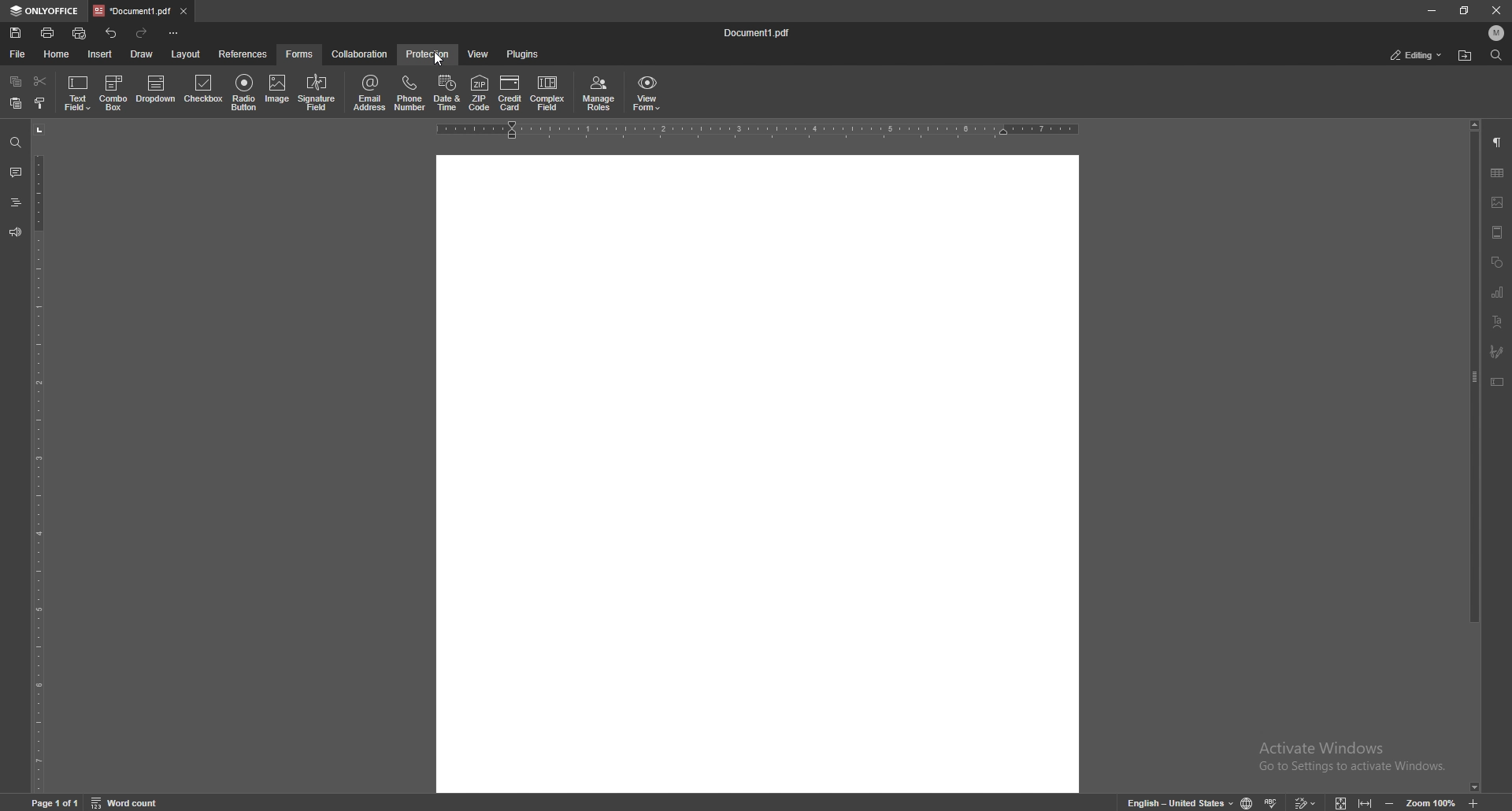  What do you see at coordinates (1465, 57) in the screenshot?
I see `locate file` at bounding box center [1465, 57].